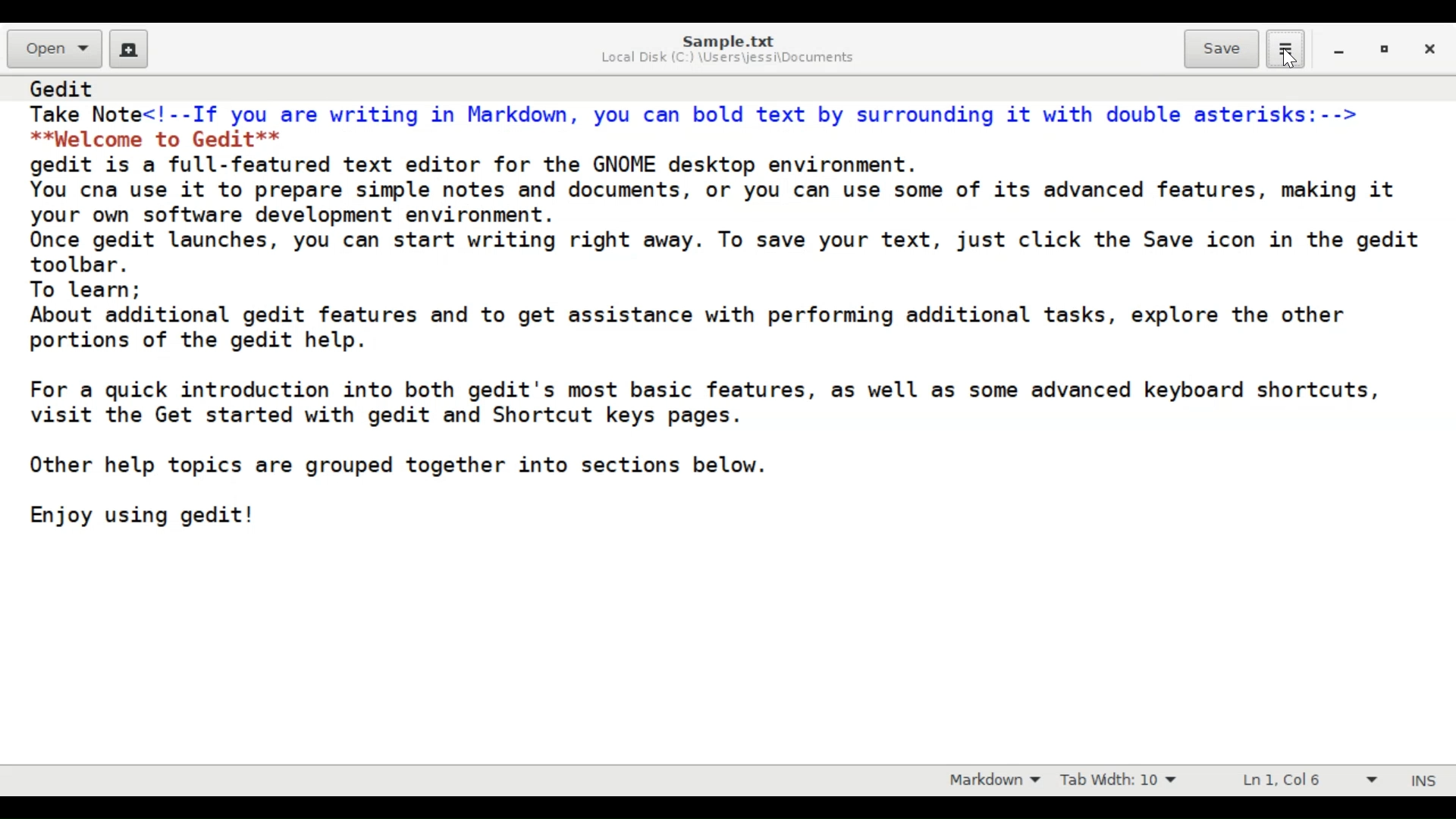  I want to click on Insert mode (INS), so click(1421, 780).